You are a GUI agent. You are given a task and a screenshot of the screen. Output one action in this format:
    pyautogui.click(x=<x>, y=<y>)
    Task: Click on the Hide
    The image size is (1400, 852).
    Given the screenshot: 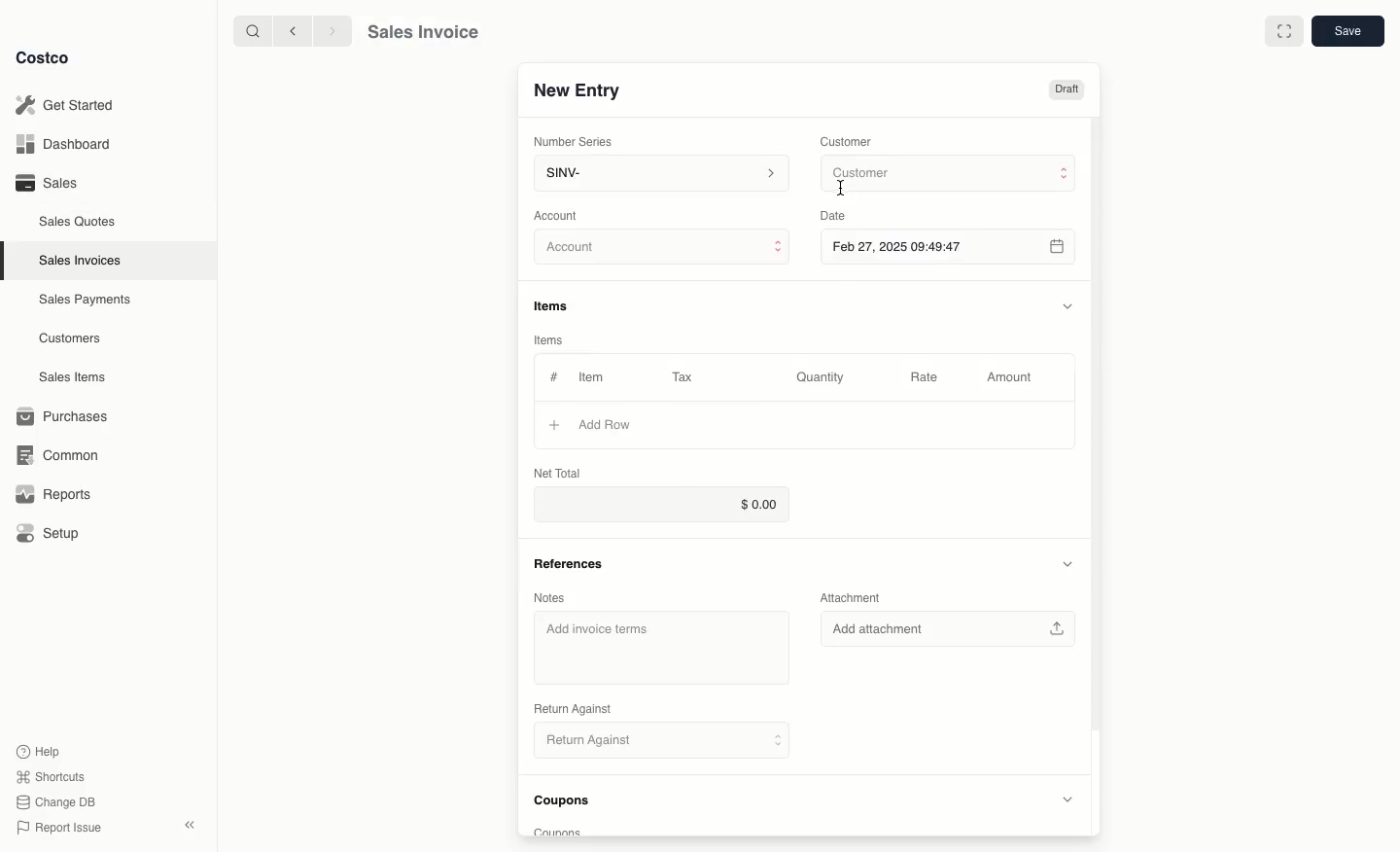 What is the action you would take?
    pyautogui.click(x=1066, y=564)
    